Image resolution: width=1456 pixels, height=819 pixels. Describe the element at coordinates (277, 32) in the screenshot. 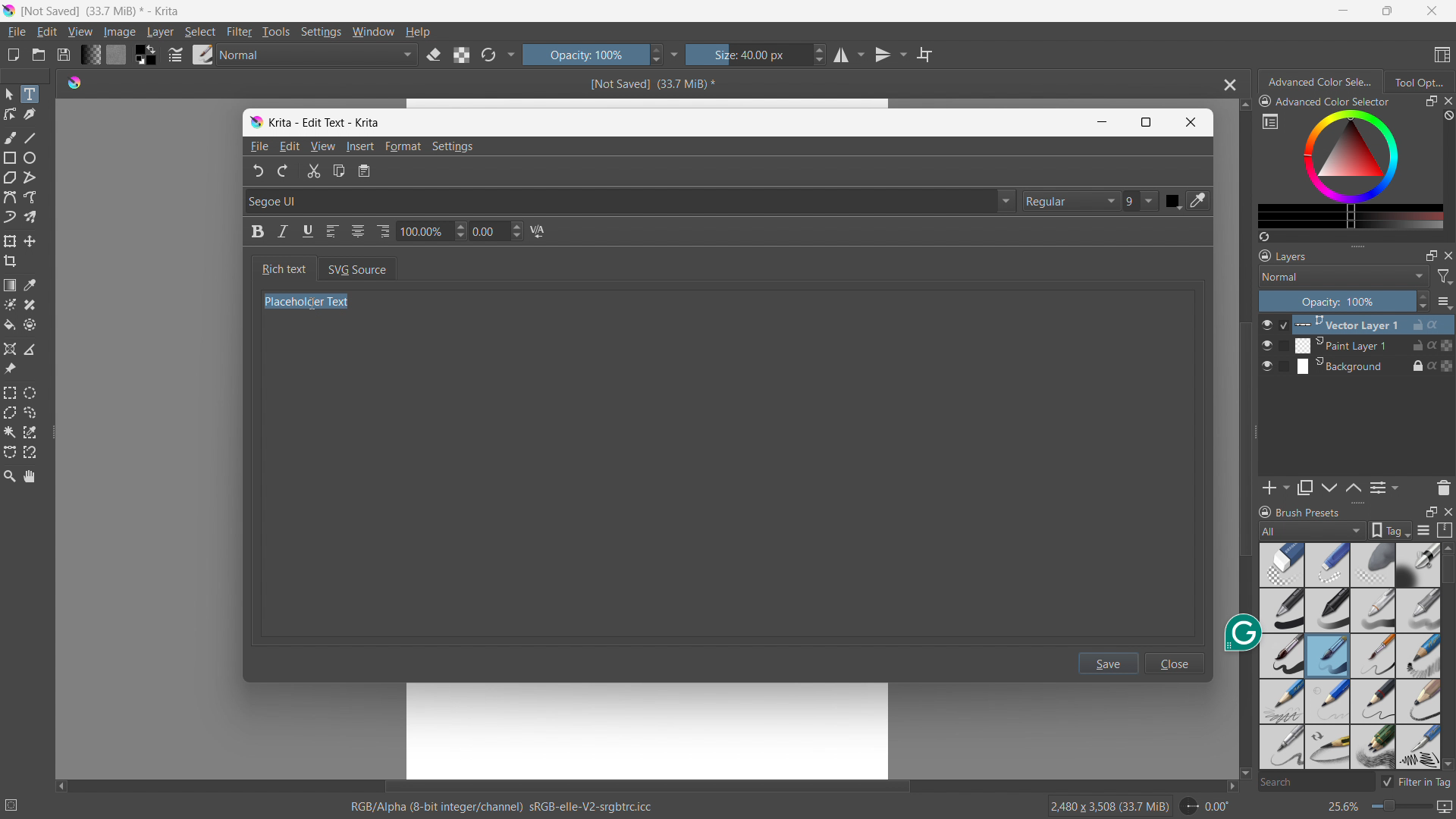

I see `tools` at that location.